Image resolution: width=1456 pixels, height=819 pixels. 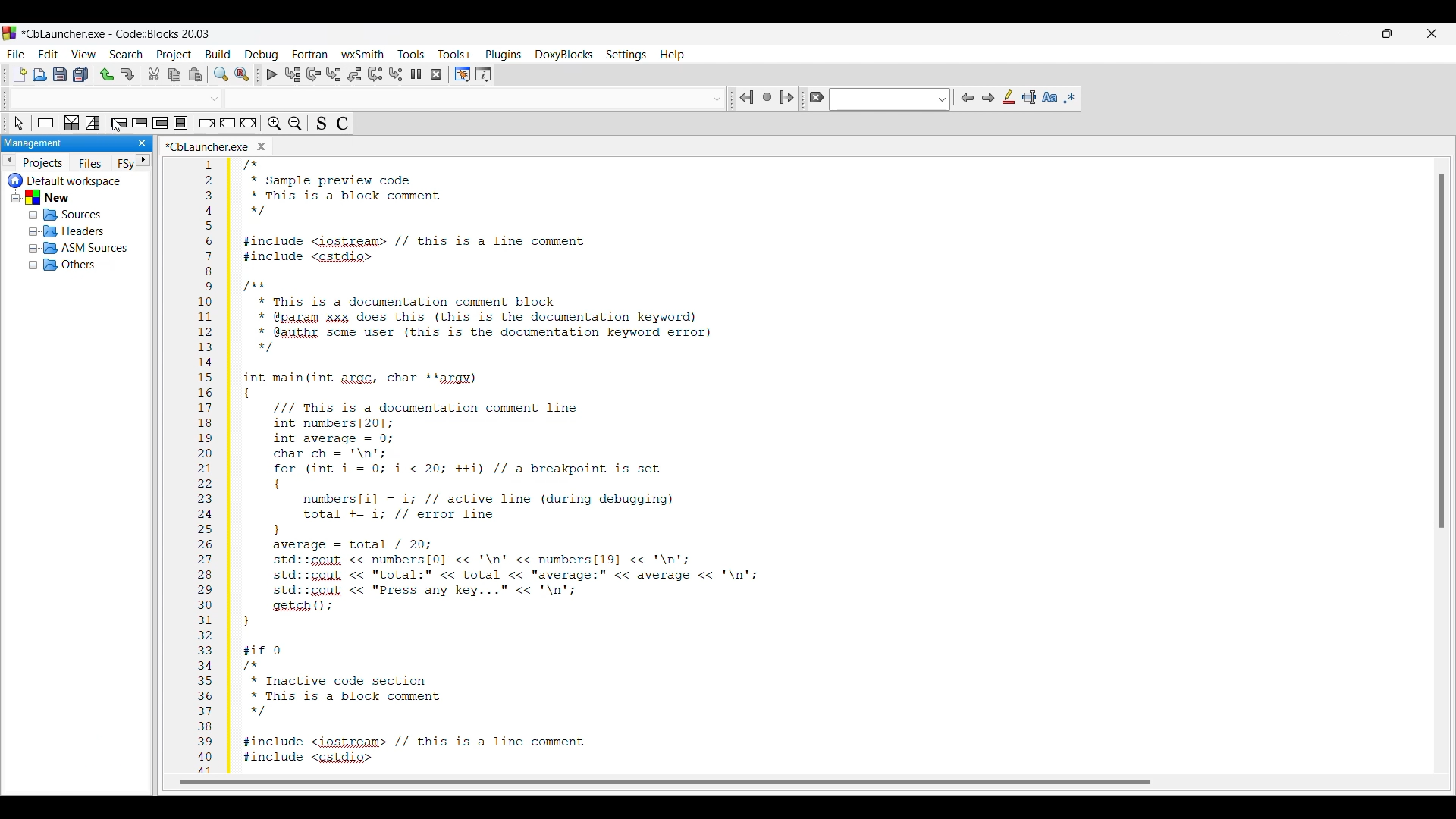 I want to click on numbers , so click(x=202, y=467).